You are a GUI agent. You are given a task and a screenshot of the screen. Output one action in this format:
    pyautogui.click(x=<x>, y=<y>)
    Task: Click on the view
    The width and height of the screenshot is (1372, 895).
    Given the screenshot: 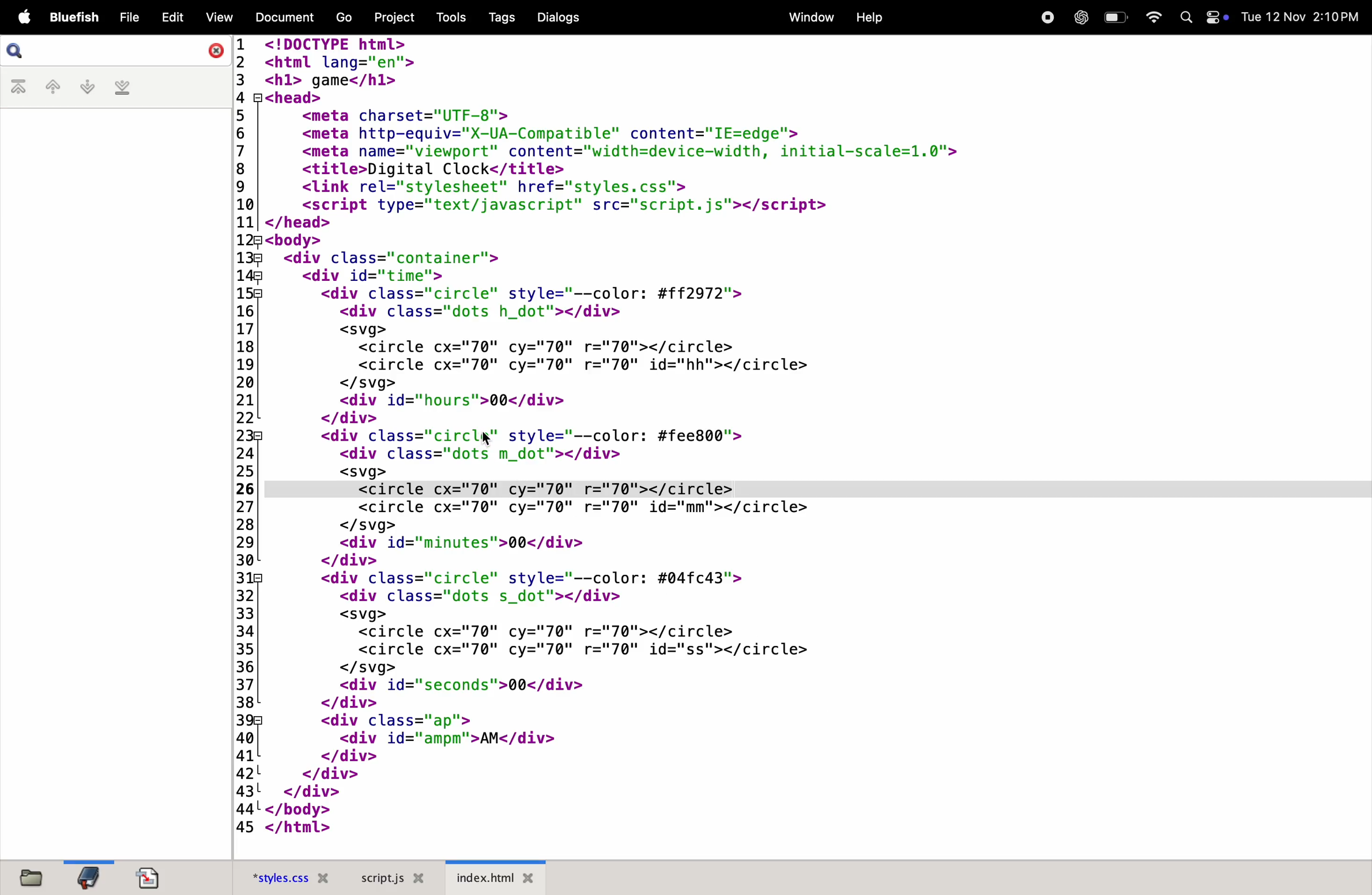 What is the action you would take?
    pyautogui.click(x=218, y=16)
    